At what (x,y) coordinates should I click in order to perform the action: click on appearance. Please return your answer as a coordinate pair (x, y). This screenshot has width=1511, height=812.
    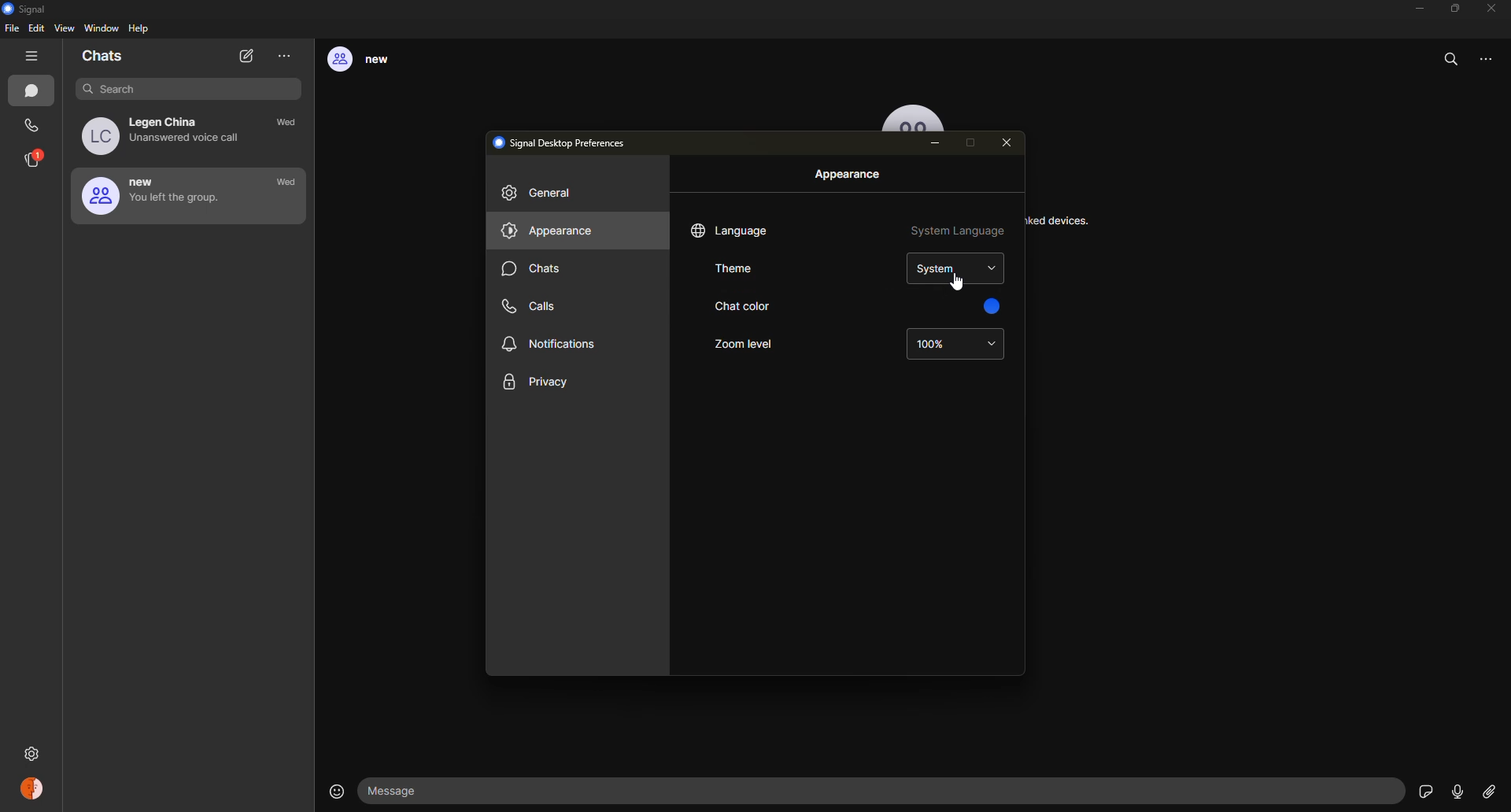
    Looking at the image, I should click on (850, 175).